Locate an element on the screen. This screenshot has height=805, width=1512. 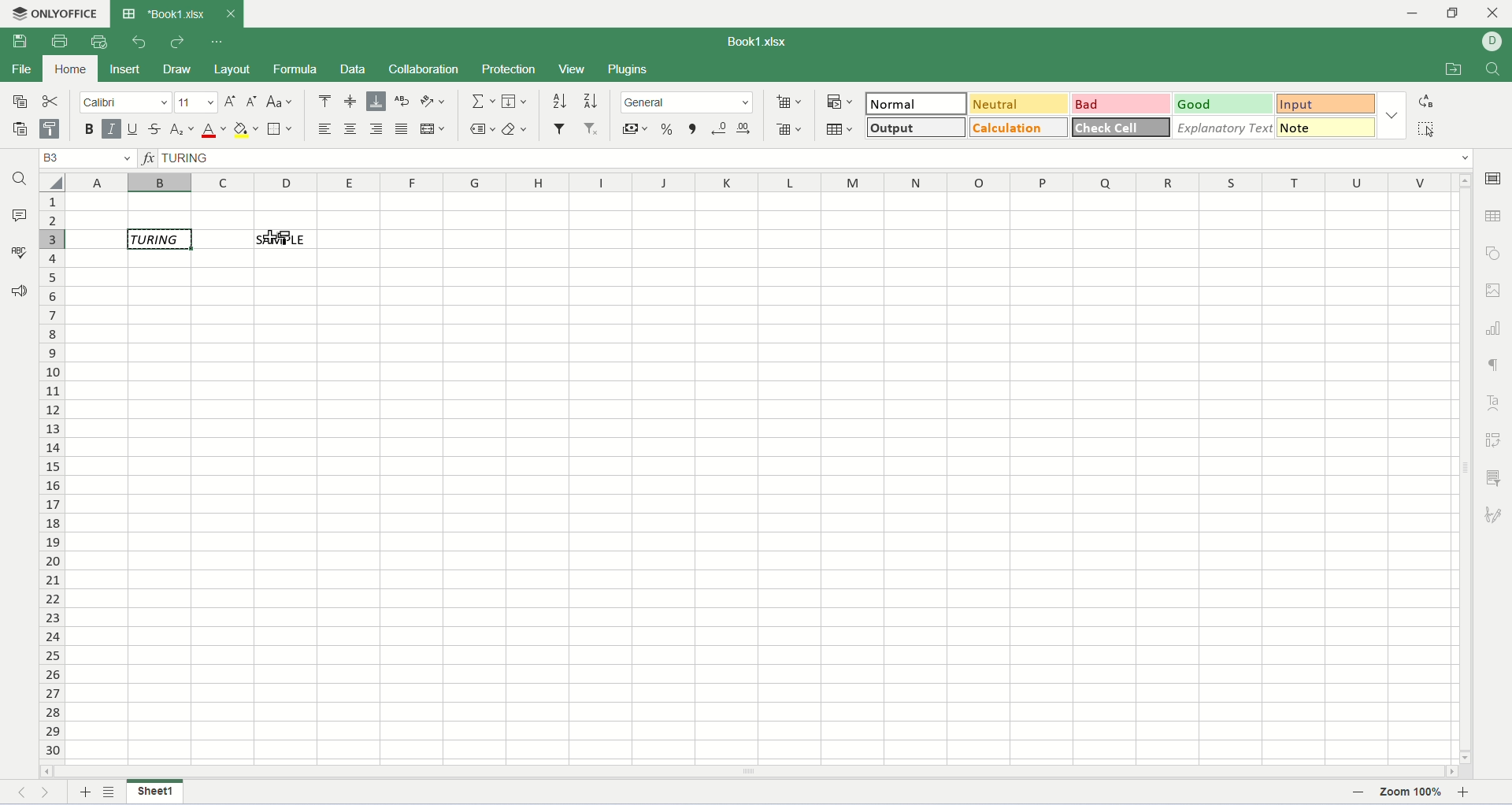
copy style is located at coordinates (54, 130).